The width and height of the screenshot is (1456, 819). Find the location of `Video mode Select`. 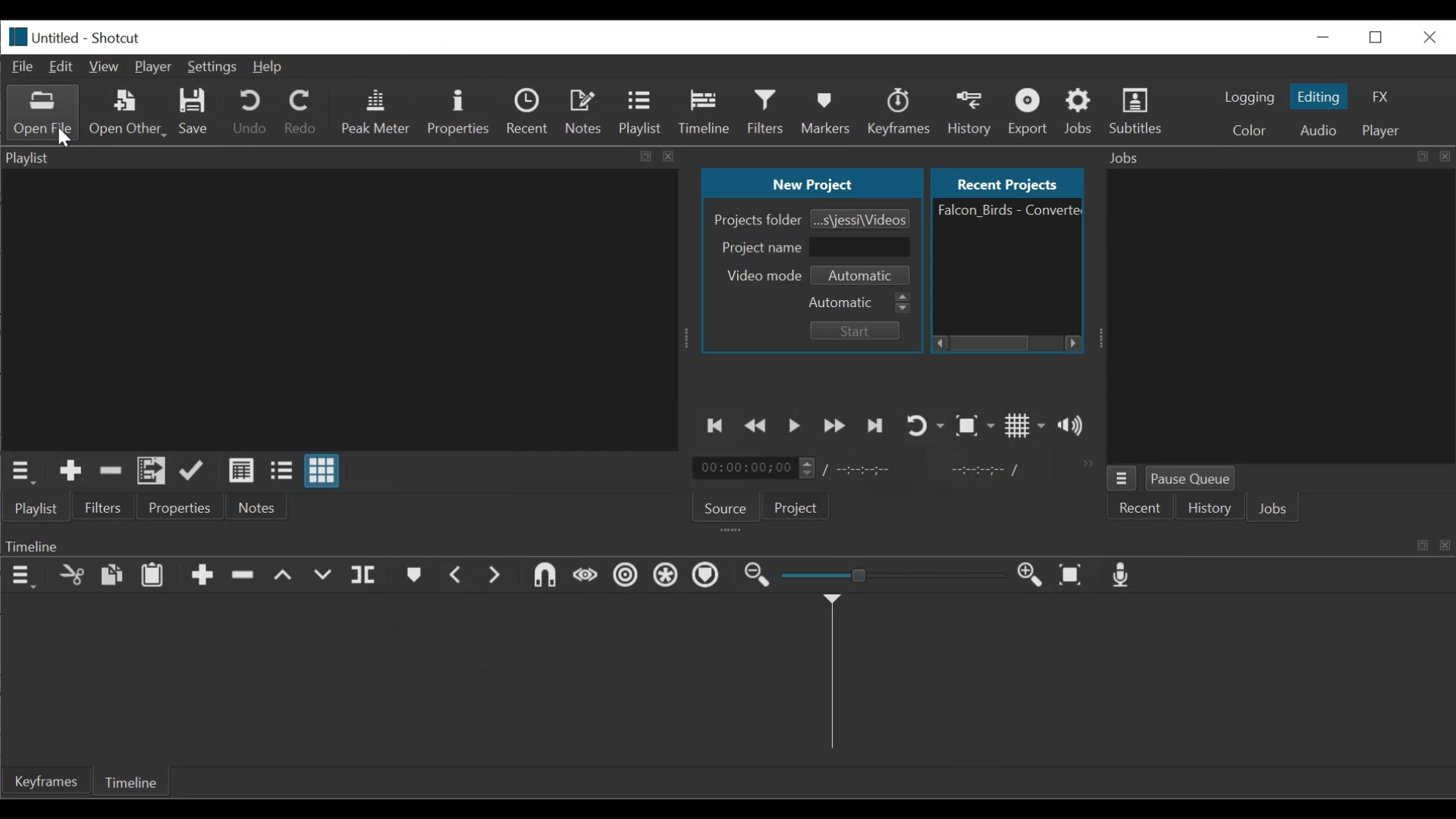

Video mode Select is located at coordinates (863, 276).